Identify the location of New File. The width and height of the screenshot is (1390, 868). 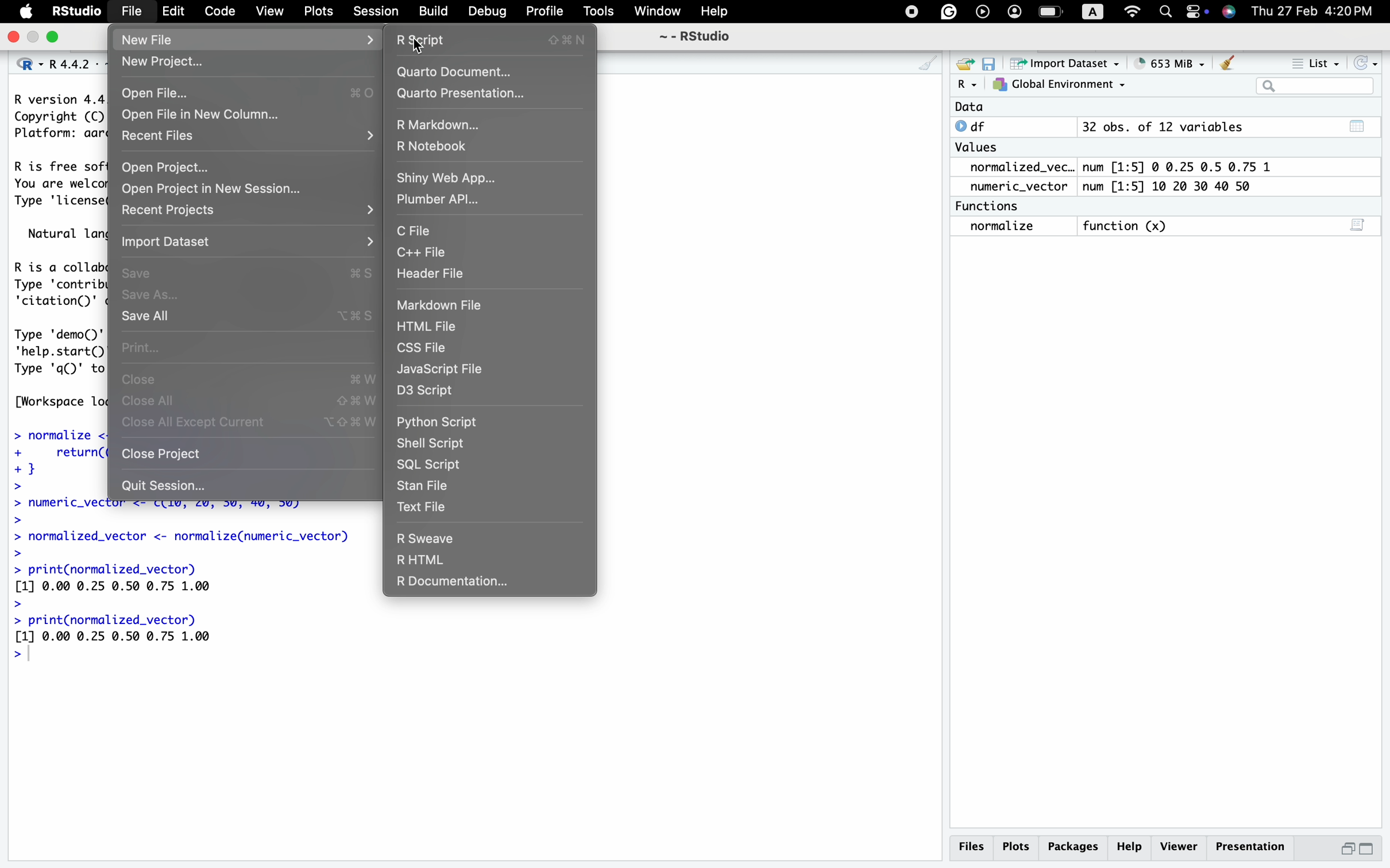
(178, 41).